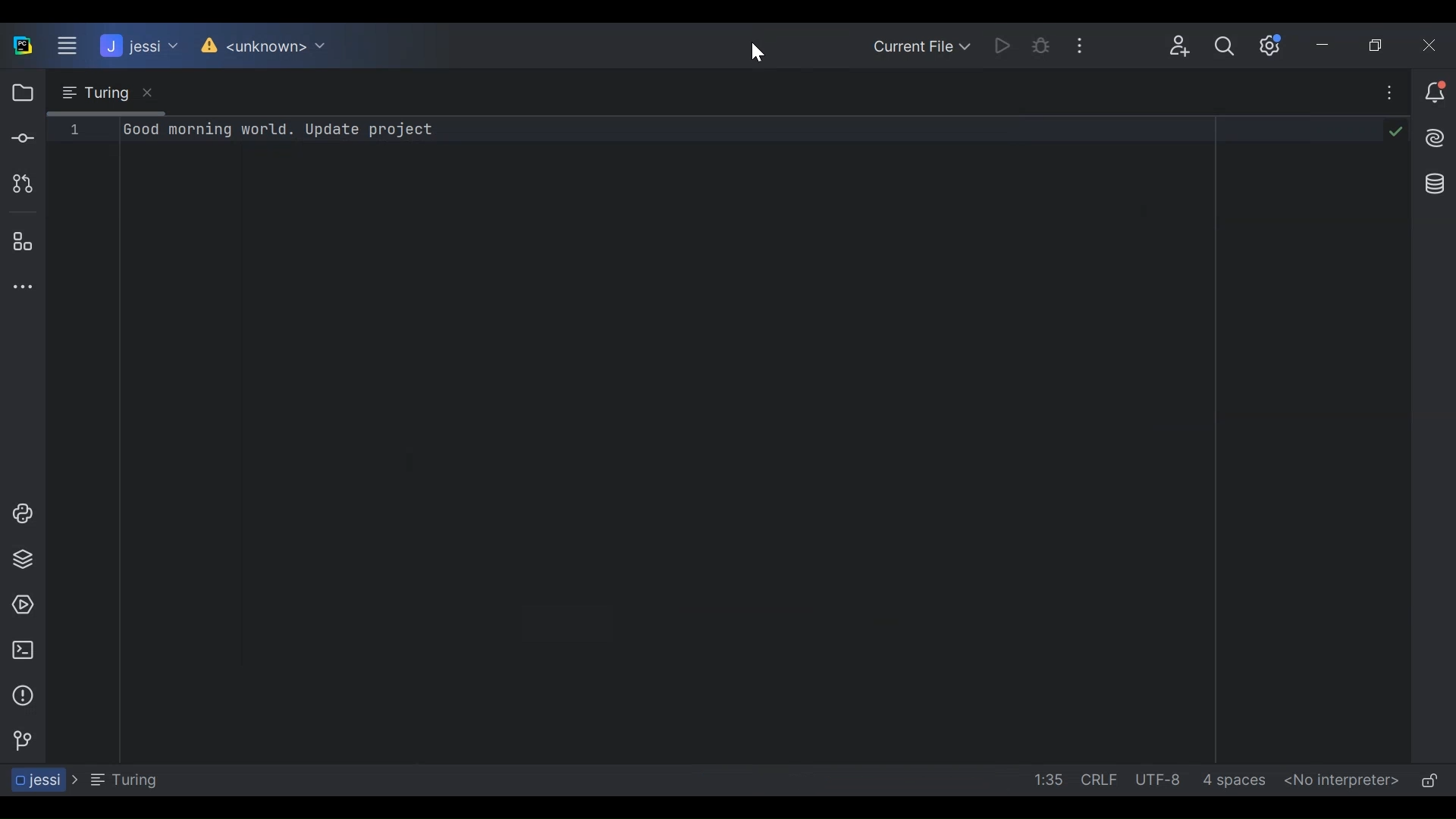  What do you see at coordinates (22, 739) in the screenshot?
I see `Version Control` at bounding box center [22, 739].